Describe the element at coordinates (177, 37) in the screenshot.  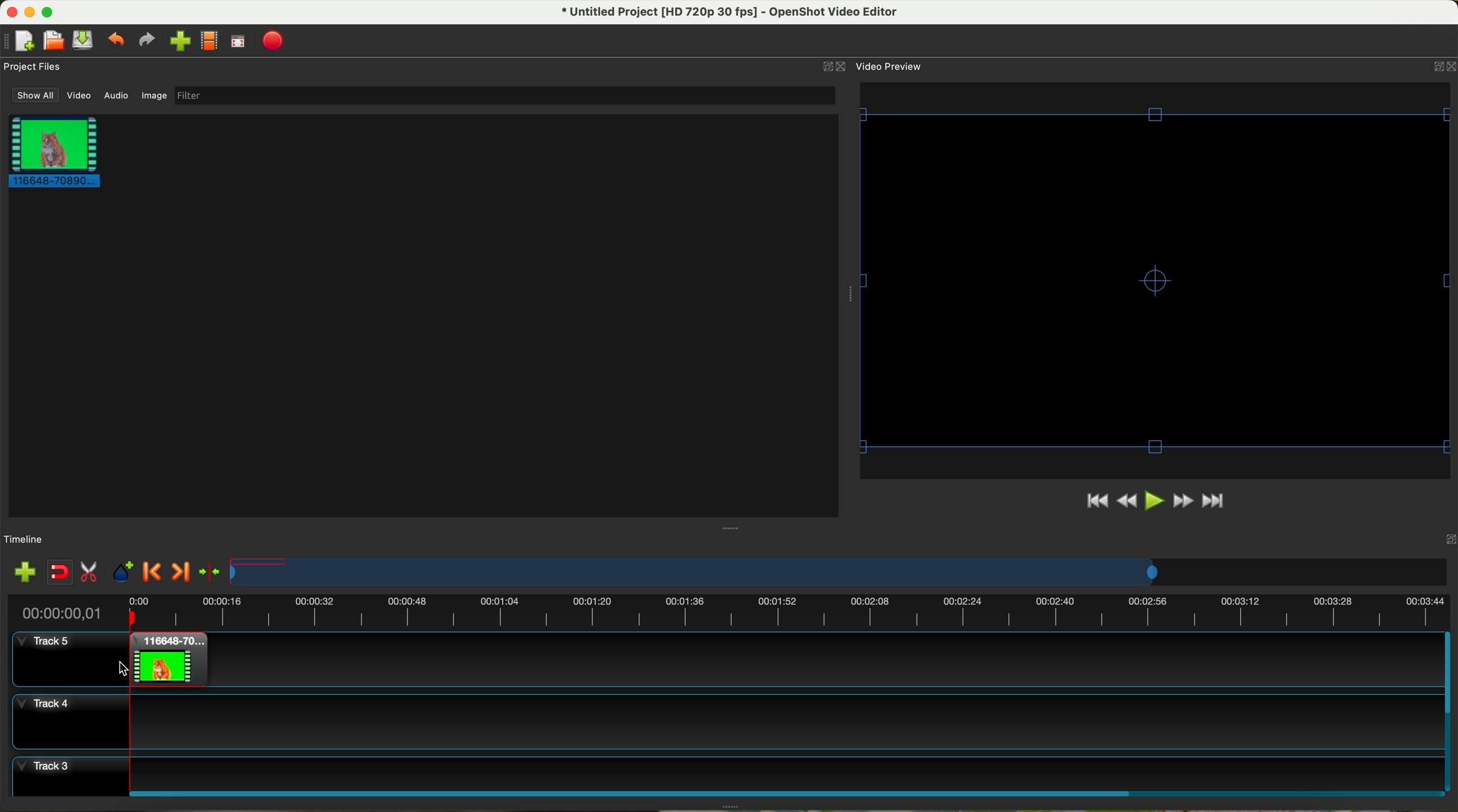
I see `click on import file` at that location.